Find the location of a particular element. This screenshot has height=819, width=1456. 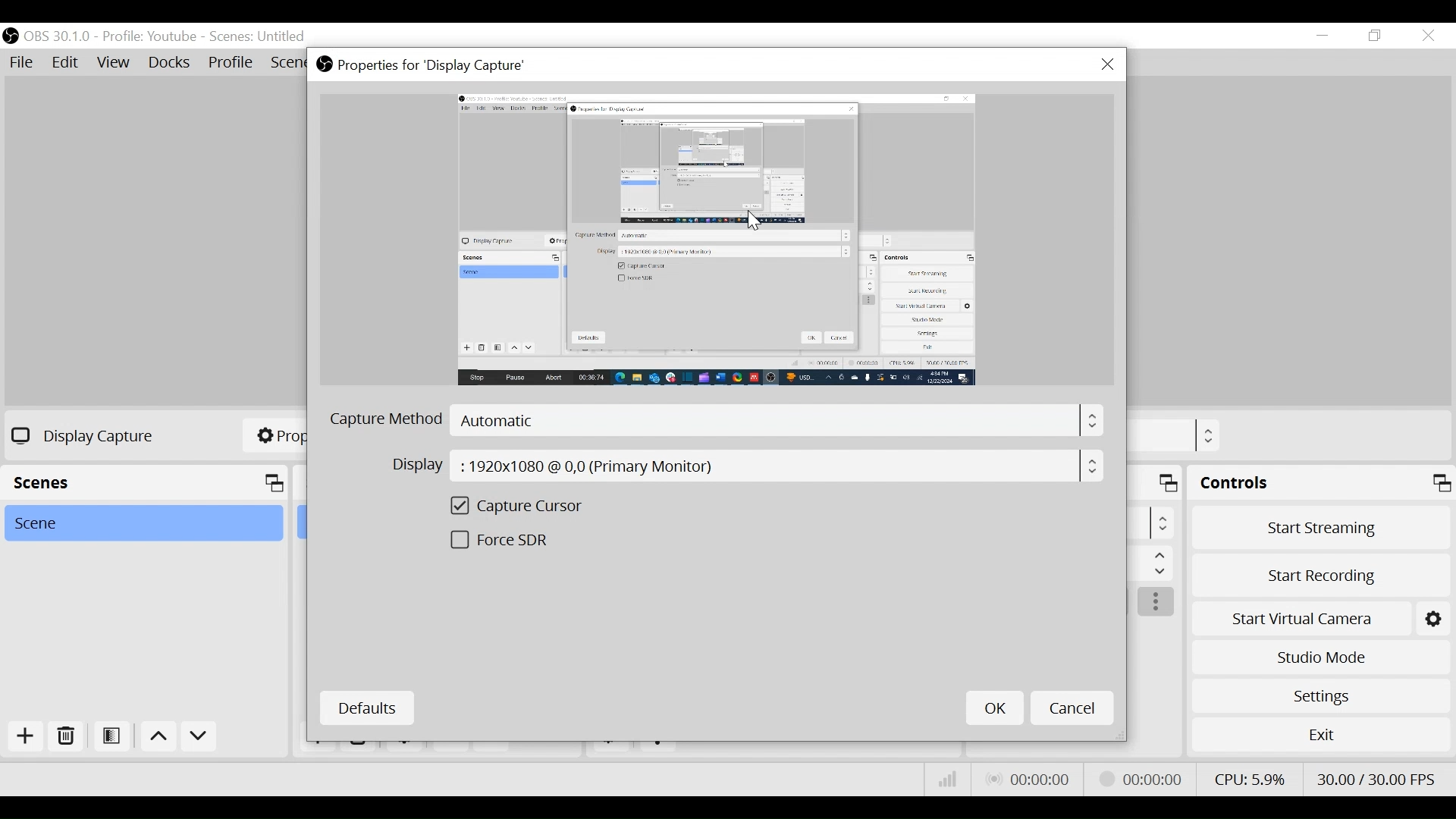

minimize is located at coordinates (1322, 36).